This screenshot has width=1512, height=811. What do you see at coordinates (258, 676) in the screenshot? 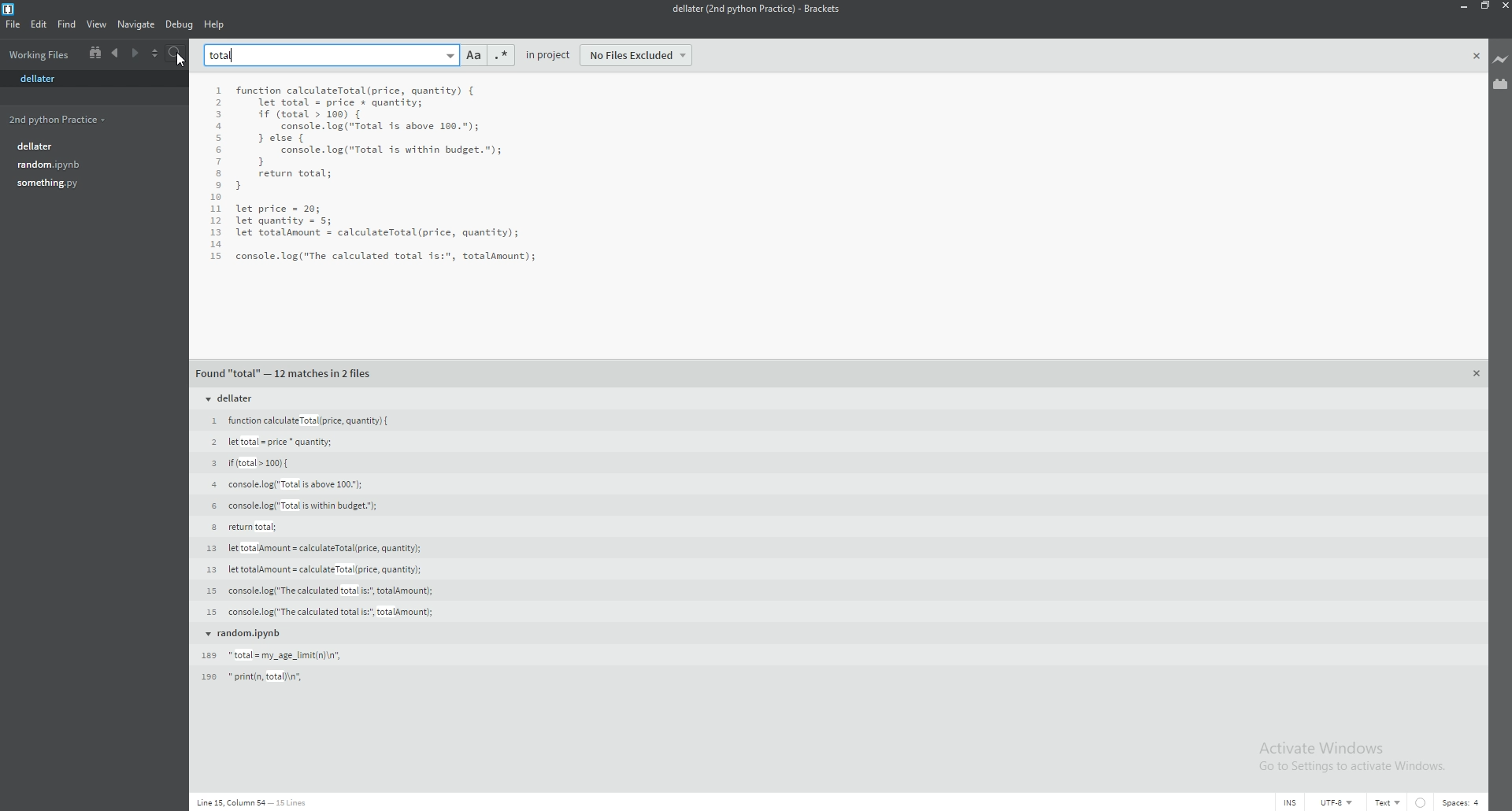
I see `190 "print(n,total)\n` at bounding box center [258, 676].